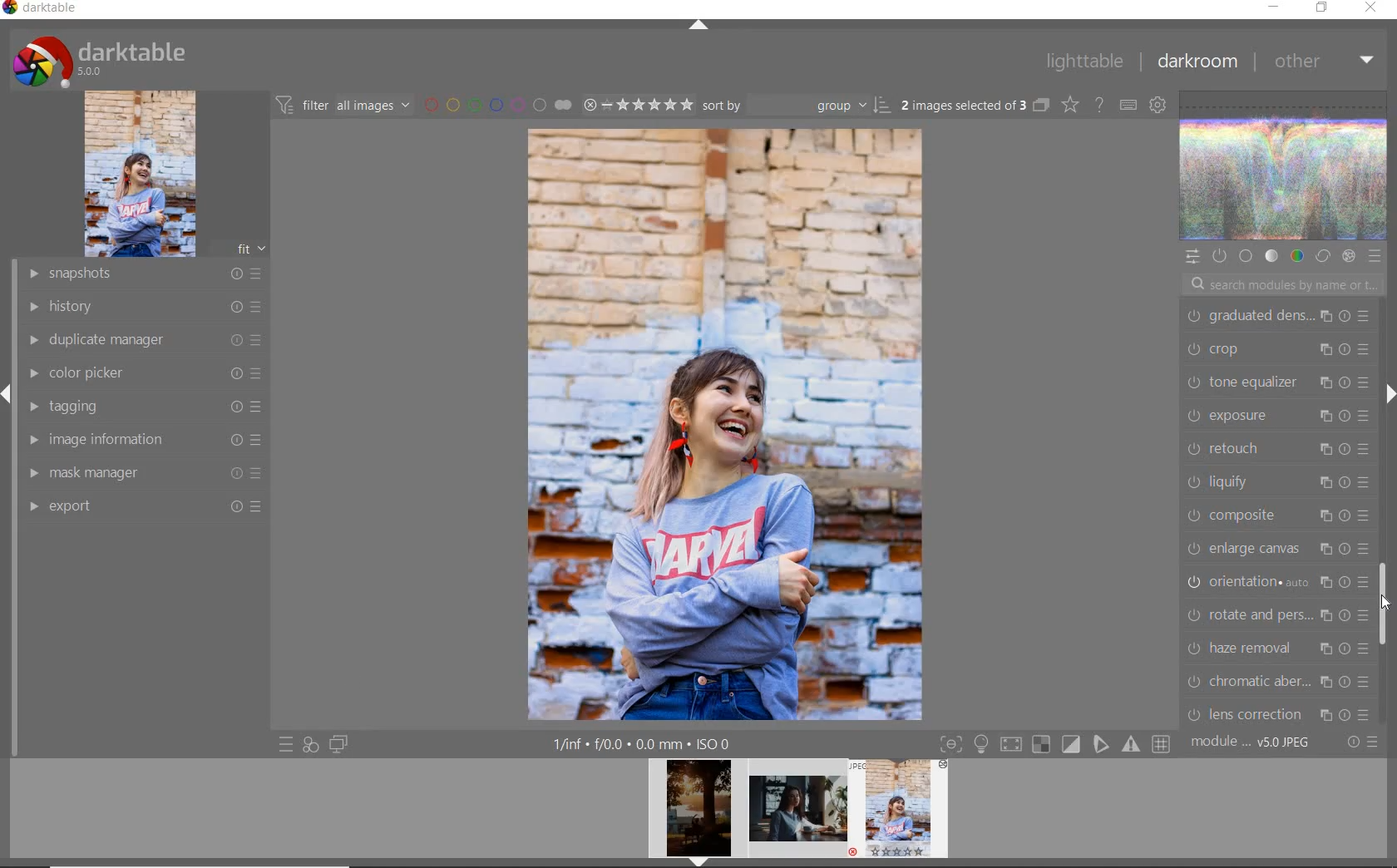 The image size is (1397, 868). Describe the element at coordinates (140, 174) in the screenshot. I see `image` at that location.